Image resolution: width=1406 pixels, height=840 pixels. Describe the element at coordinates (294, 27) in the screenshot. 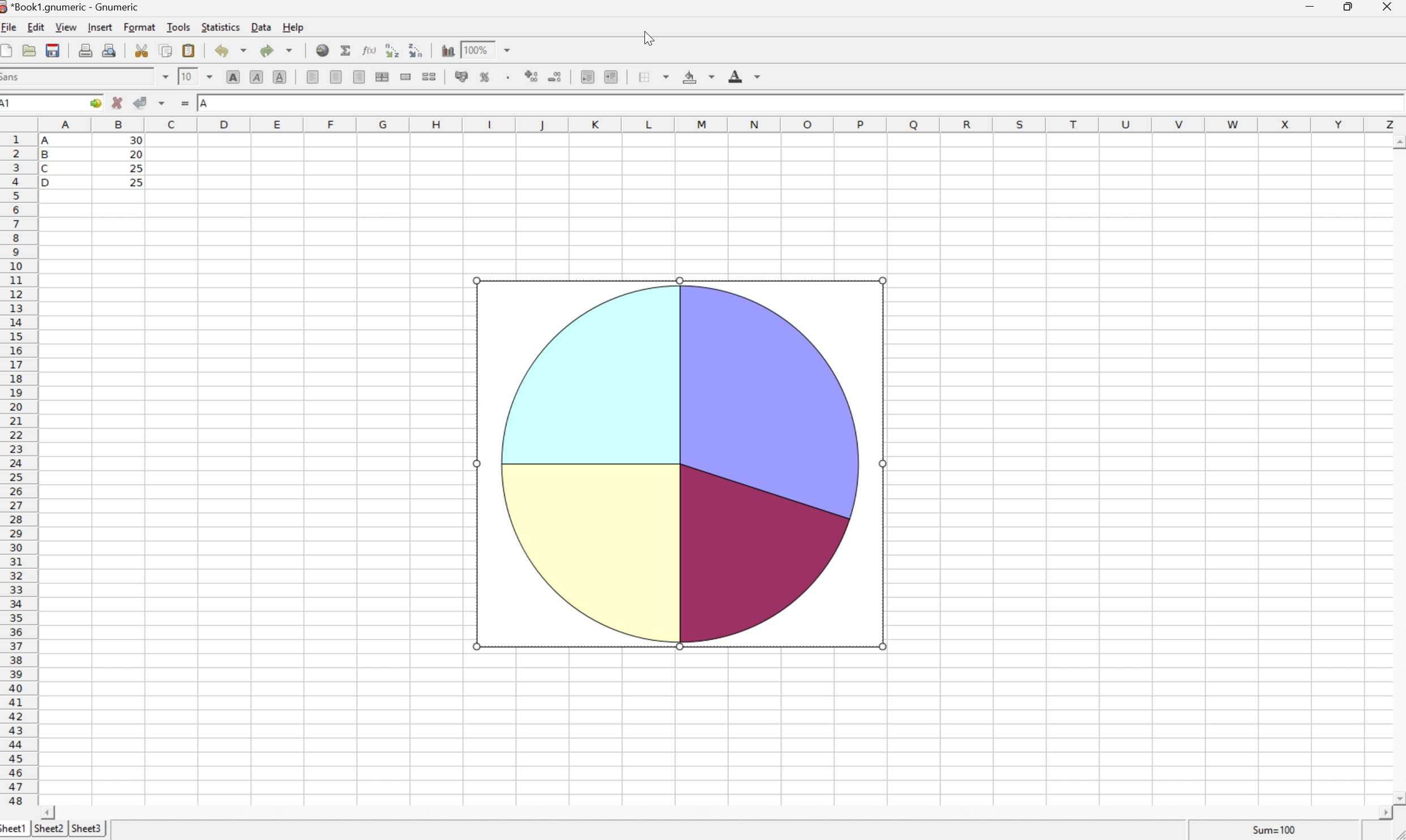

I see `Help` at that location.